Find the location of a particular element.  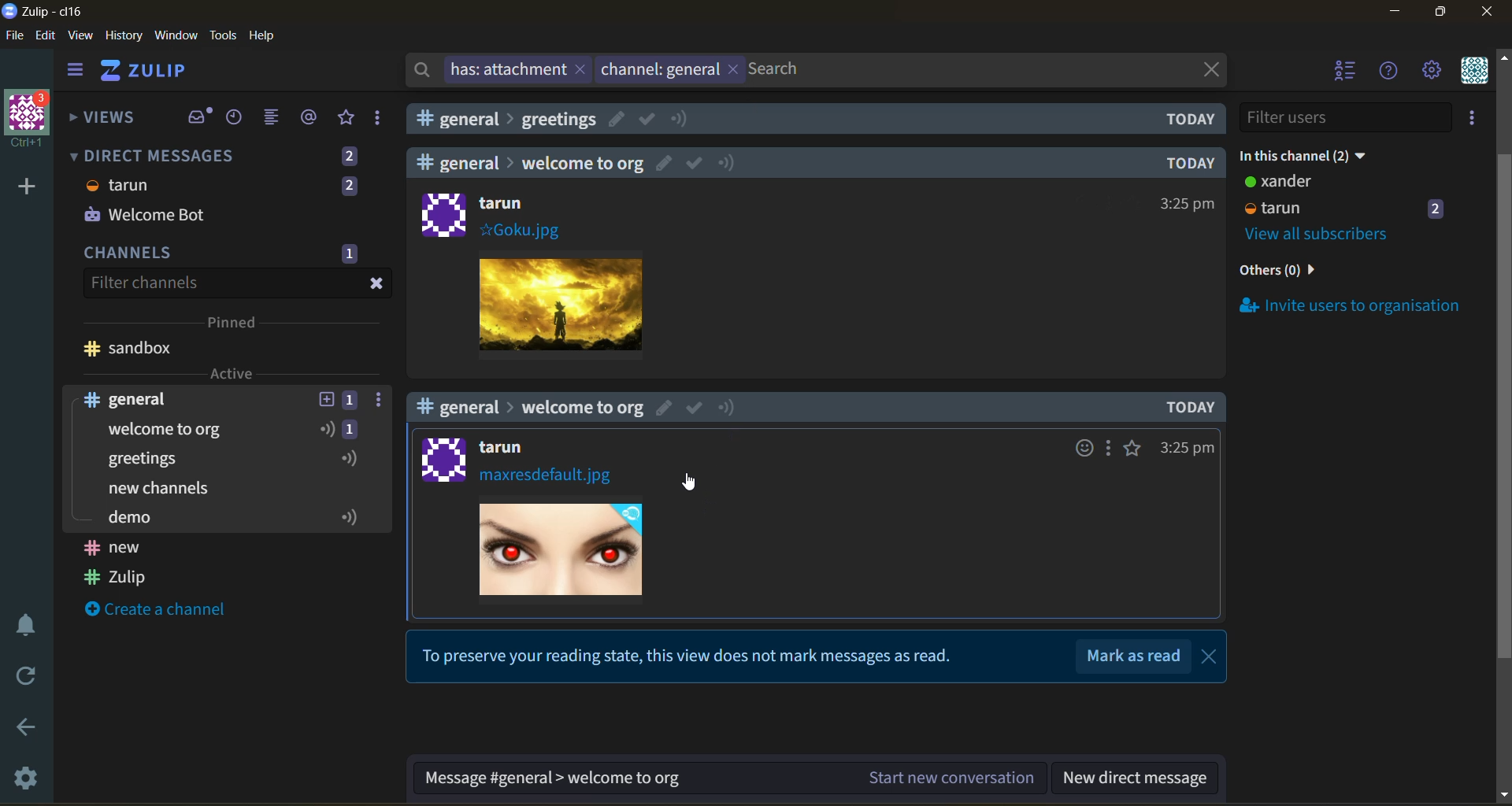

create a channel is located at coordinates (156, 490).